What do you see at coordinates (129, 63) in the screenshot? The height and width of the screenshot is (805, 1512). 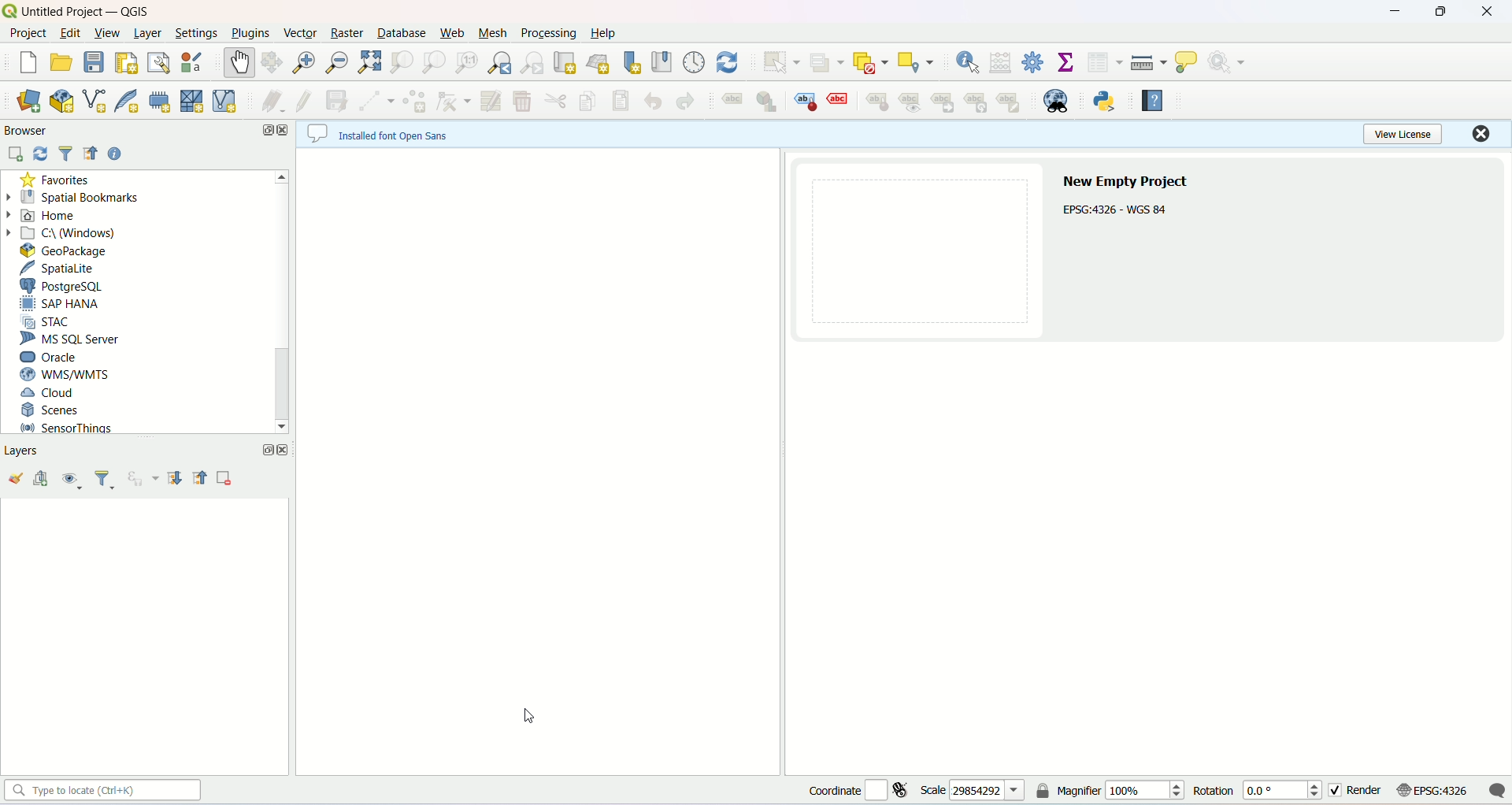 I see `print layout` at bounding box center [129, 63].